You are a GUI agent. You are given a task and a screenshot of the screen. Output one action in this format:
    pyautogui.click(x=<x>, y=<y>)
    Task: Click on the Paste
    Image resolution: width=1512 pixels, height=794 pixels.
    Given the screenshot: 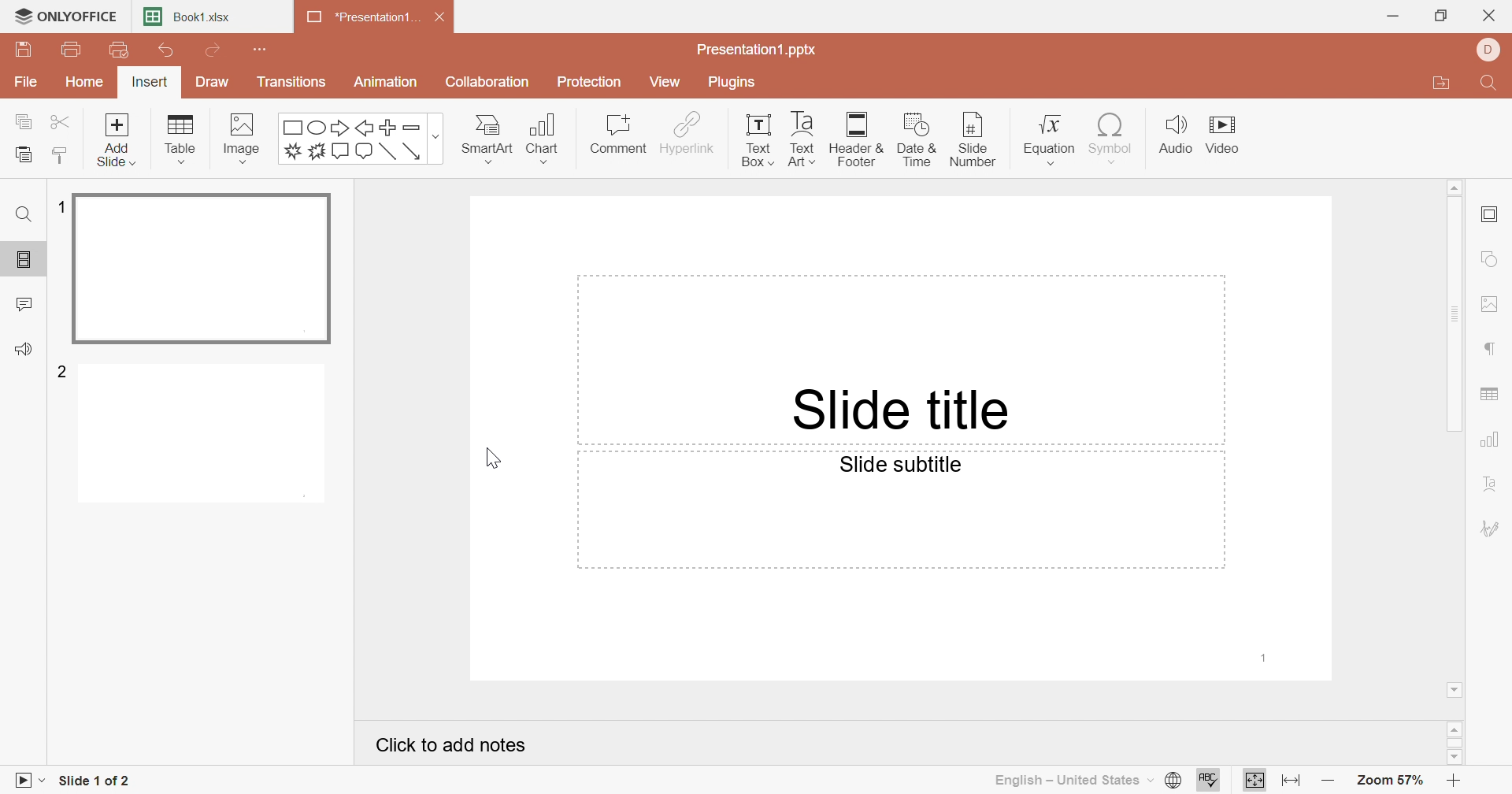 What is the action you would take?
    pyautogui.click(x=23, y=155)
    